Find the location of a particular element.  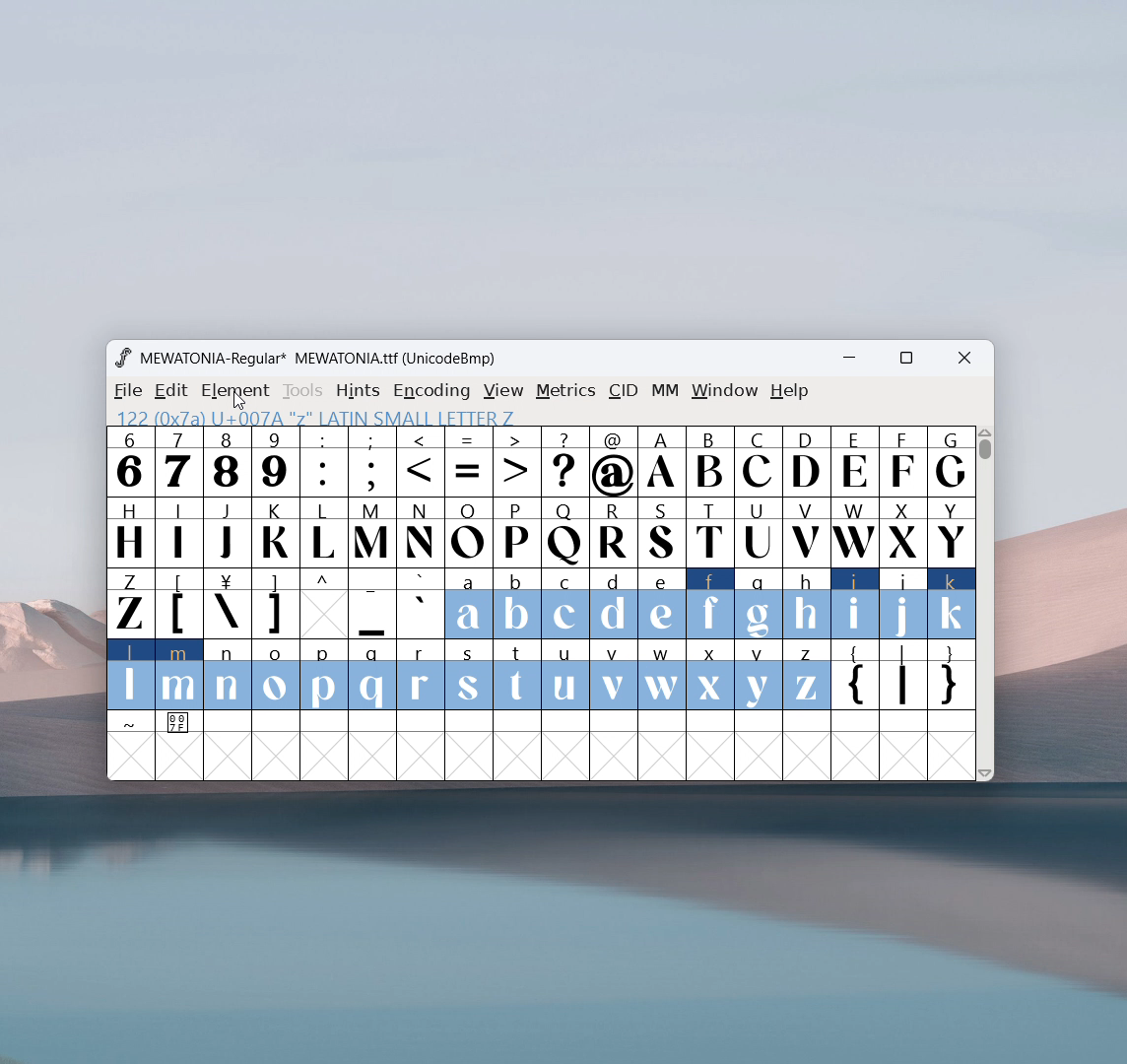

m is located at coordinates (179, 675).